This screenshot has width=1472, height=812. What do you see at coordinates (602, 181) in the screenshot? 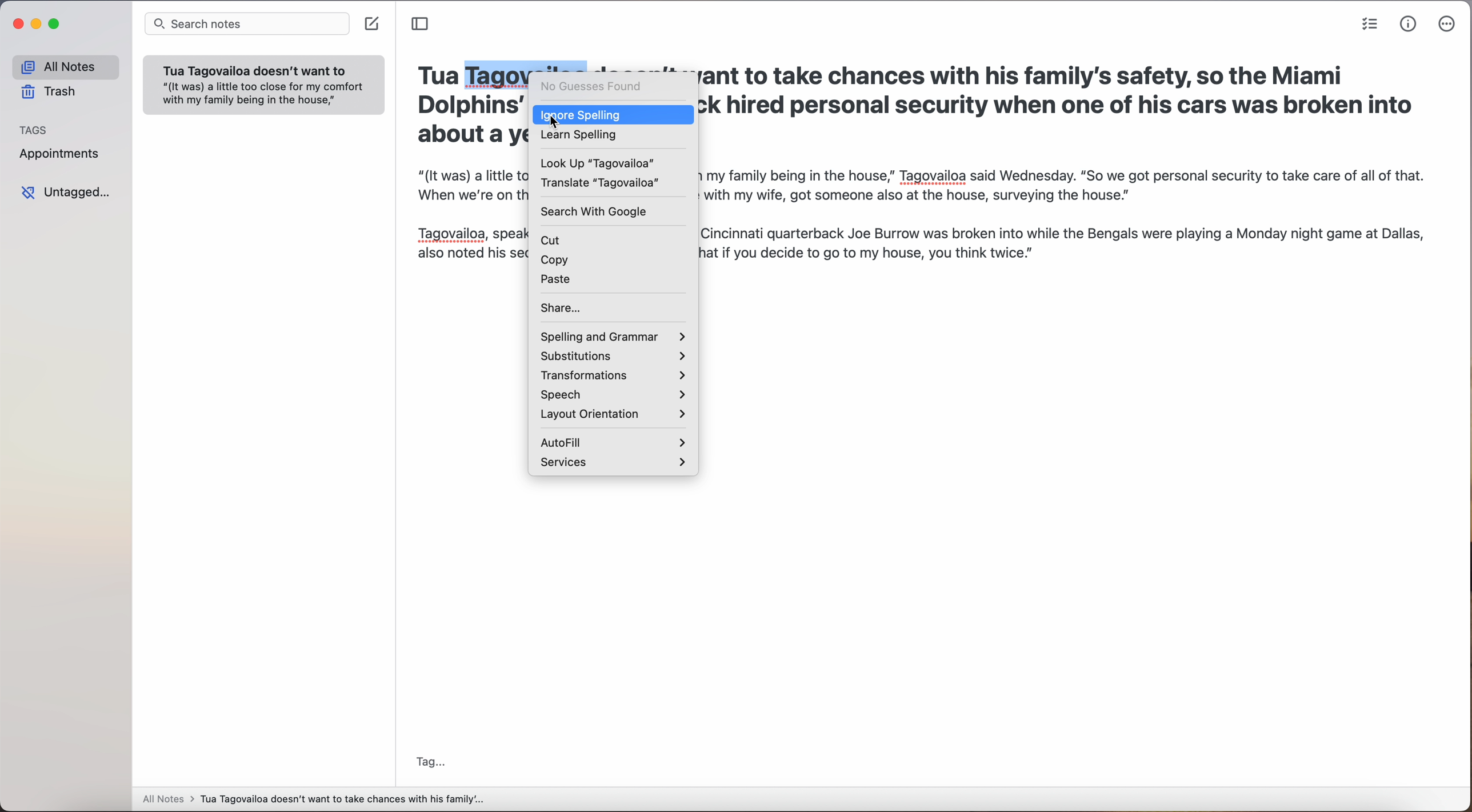
I see `translate Tagovailoa` at bounding box center [602, 181].